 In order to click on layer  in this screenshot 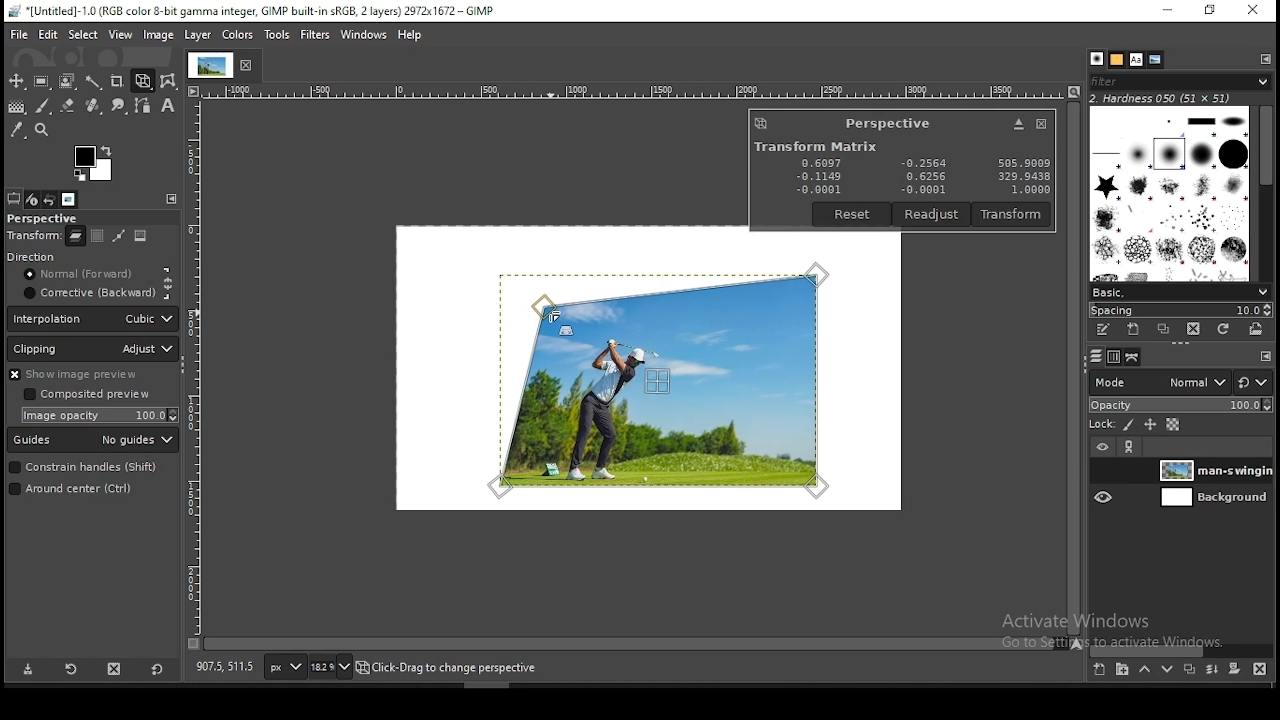, I will do `click(1212, 470)`.